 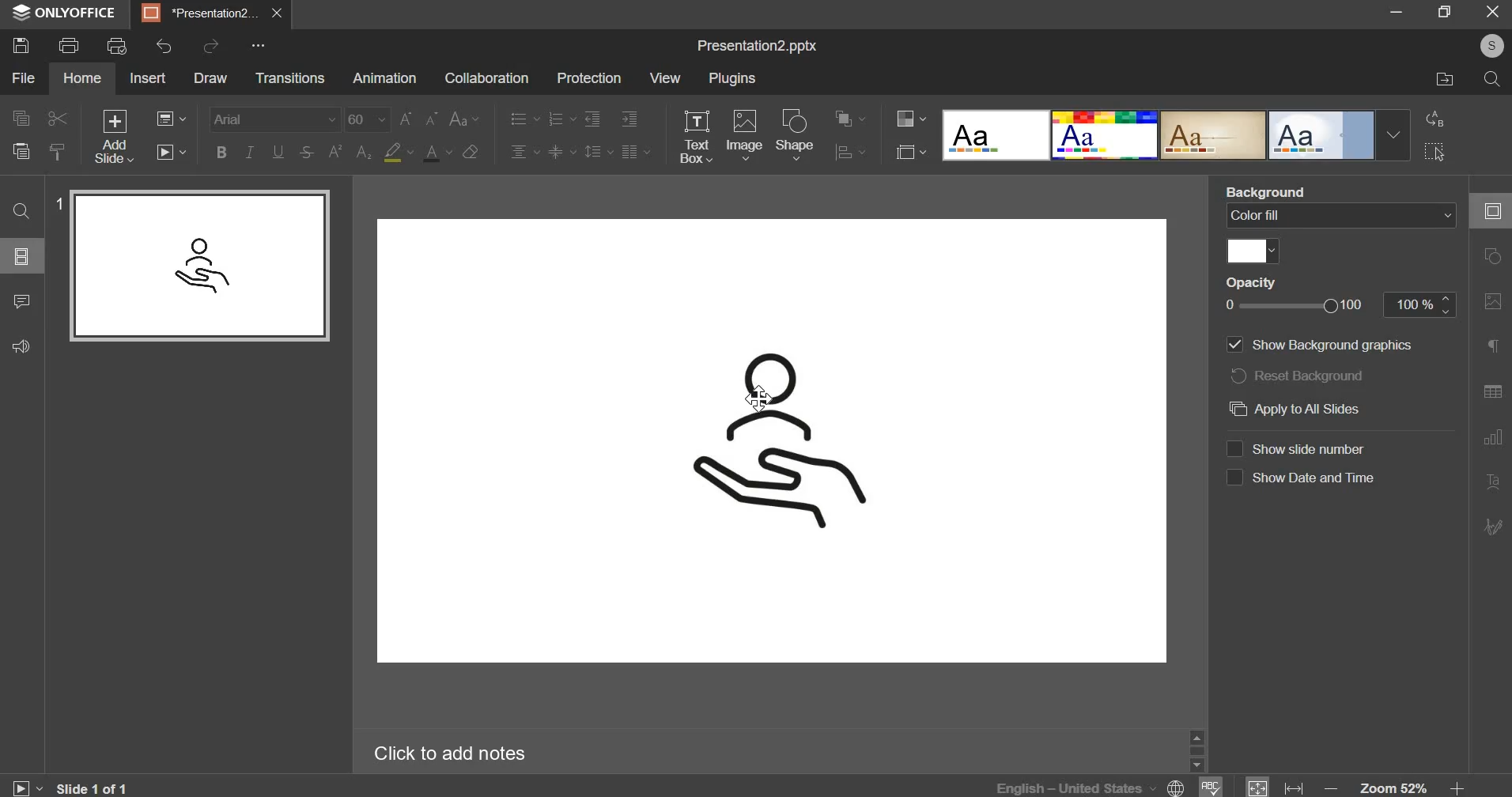 I want to click on change color style, so click(x=911, y=119).